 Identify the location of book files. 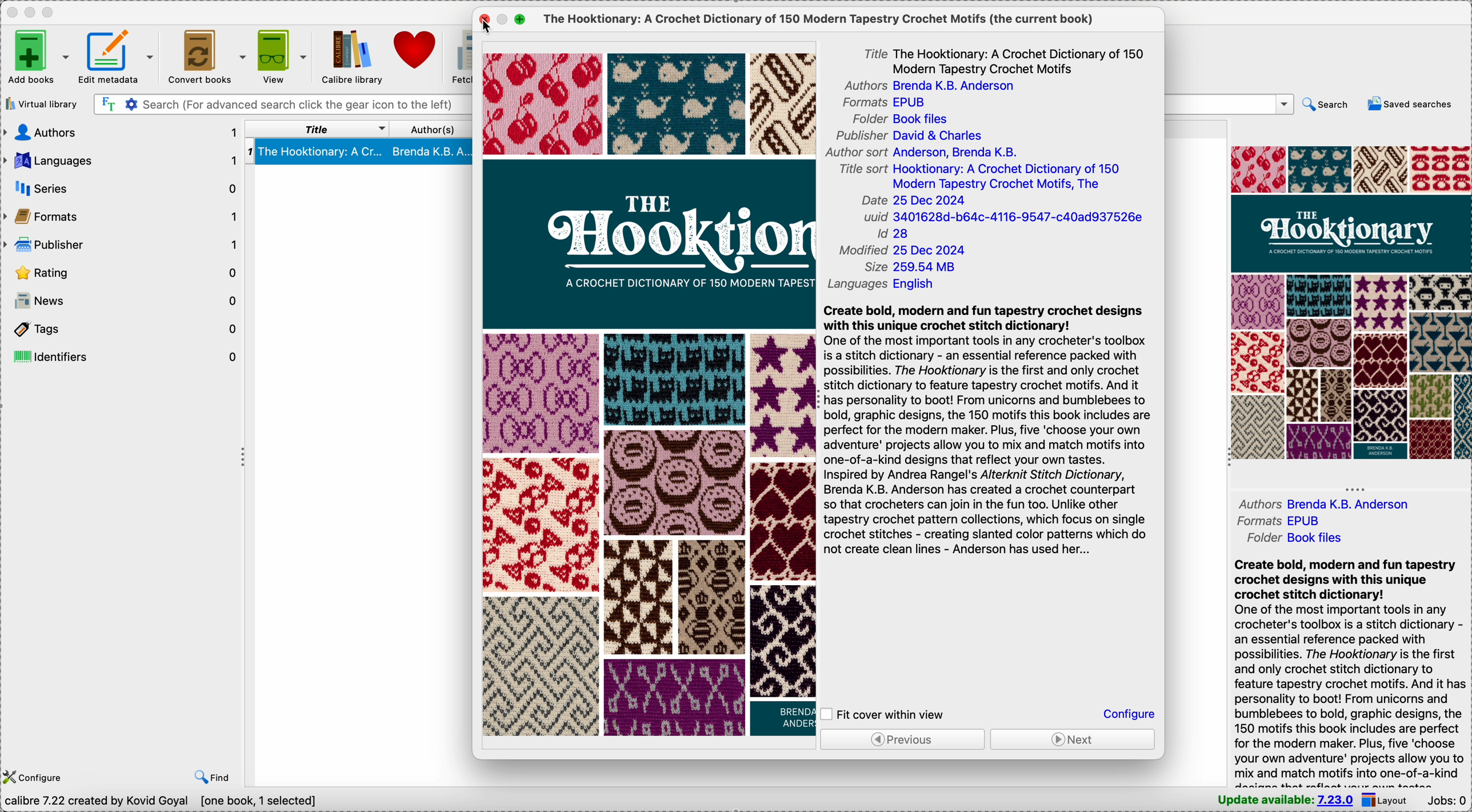
(902, 118).